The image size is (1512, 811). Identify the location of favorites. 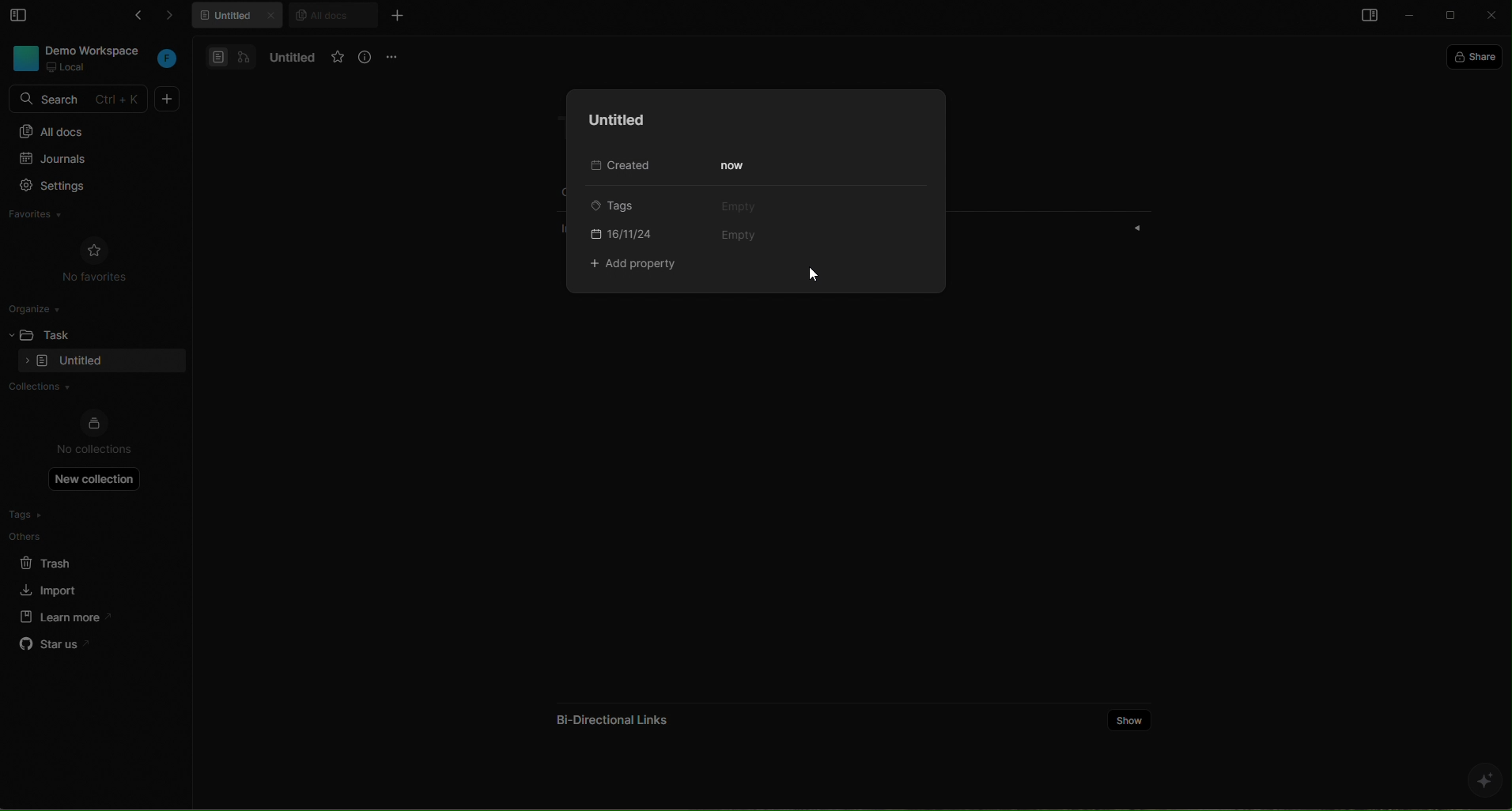
(51, 217).